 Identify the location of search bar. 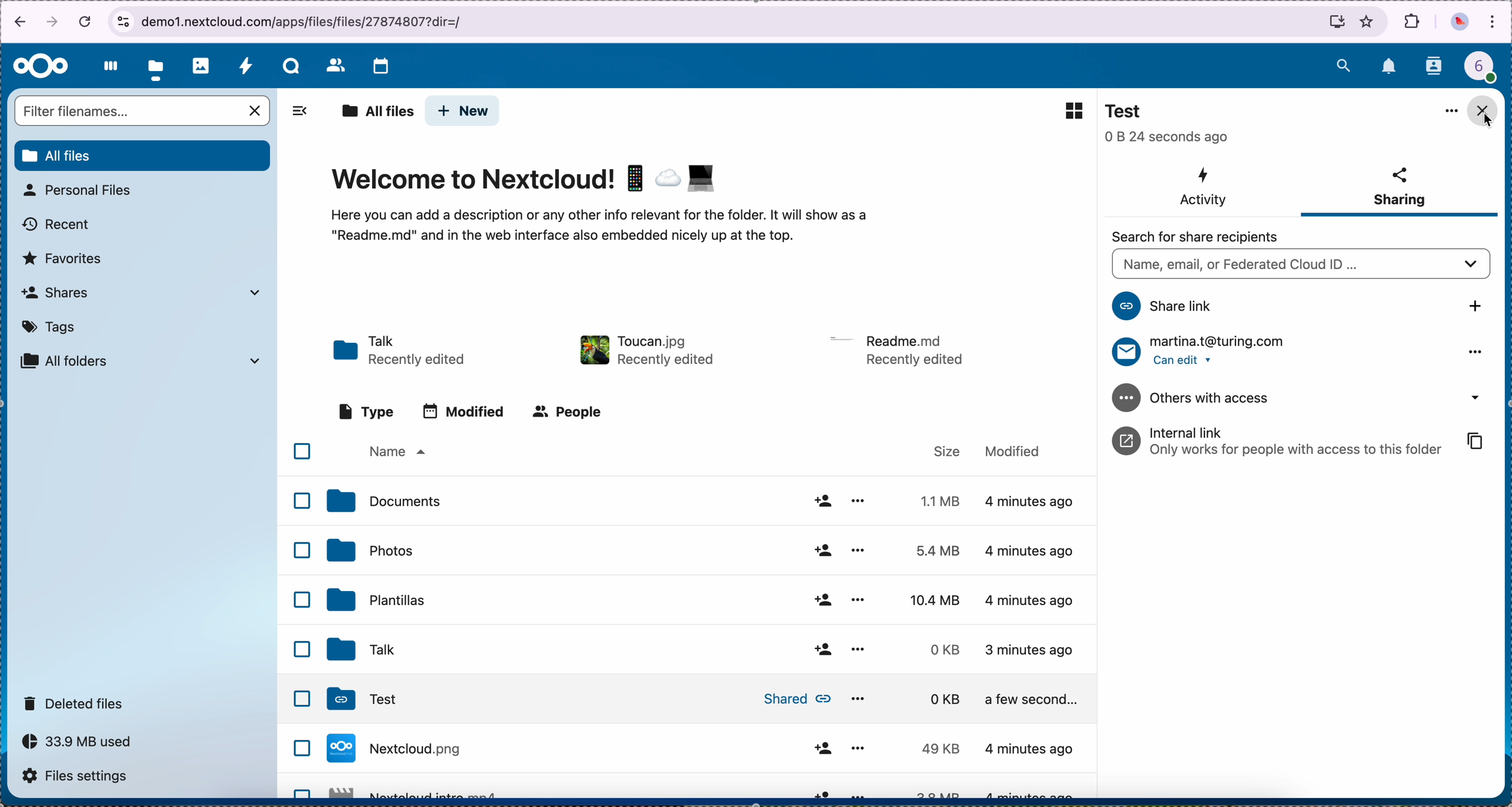
(144, 112).